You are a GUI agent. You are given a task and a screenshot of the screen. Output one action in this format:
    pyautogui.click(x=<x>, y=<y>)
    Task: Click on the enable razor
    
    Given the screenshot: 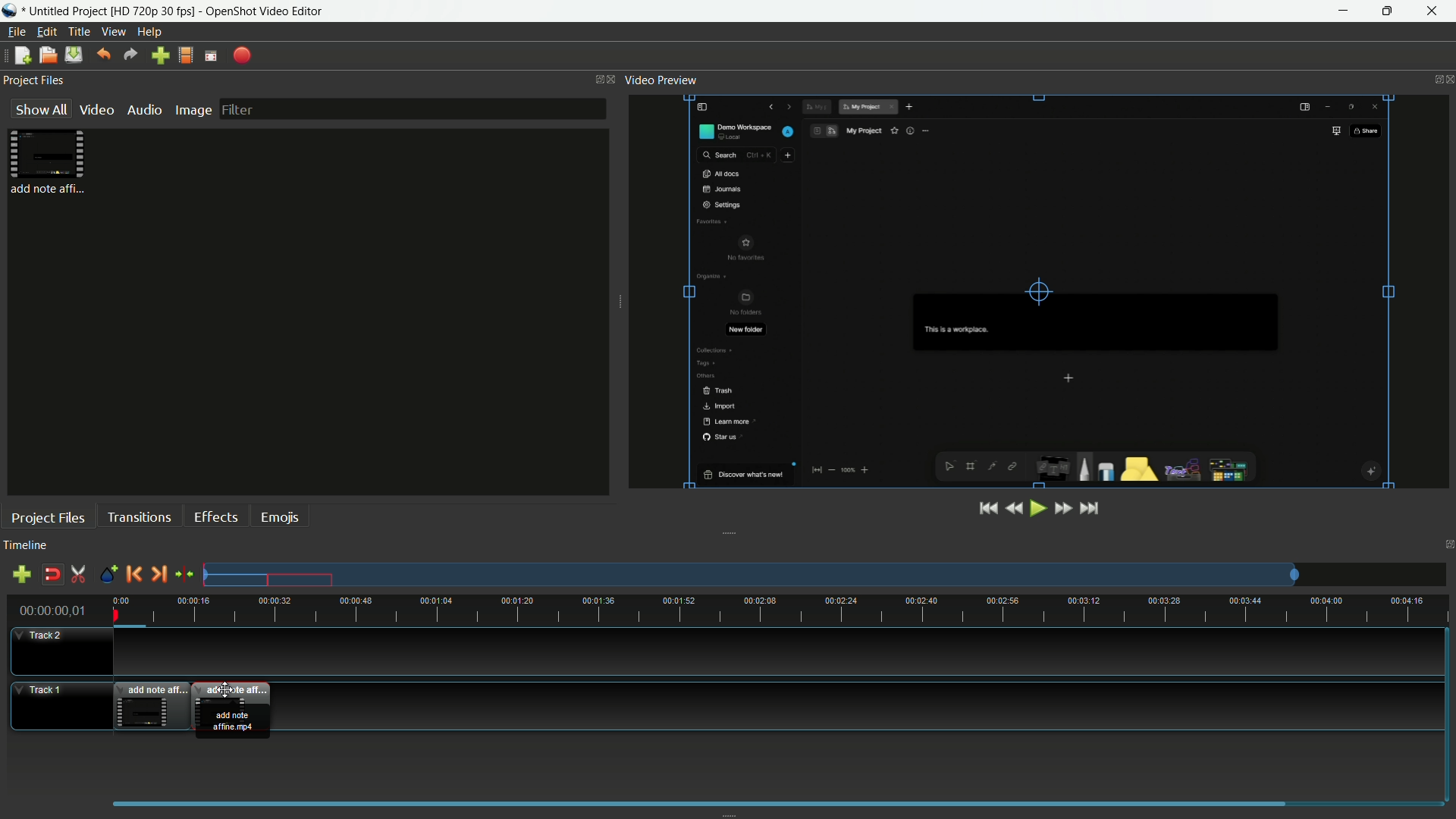 What is the action you would take?
    pyautogui.click(x=78, y=574)
    